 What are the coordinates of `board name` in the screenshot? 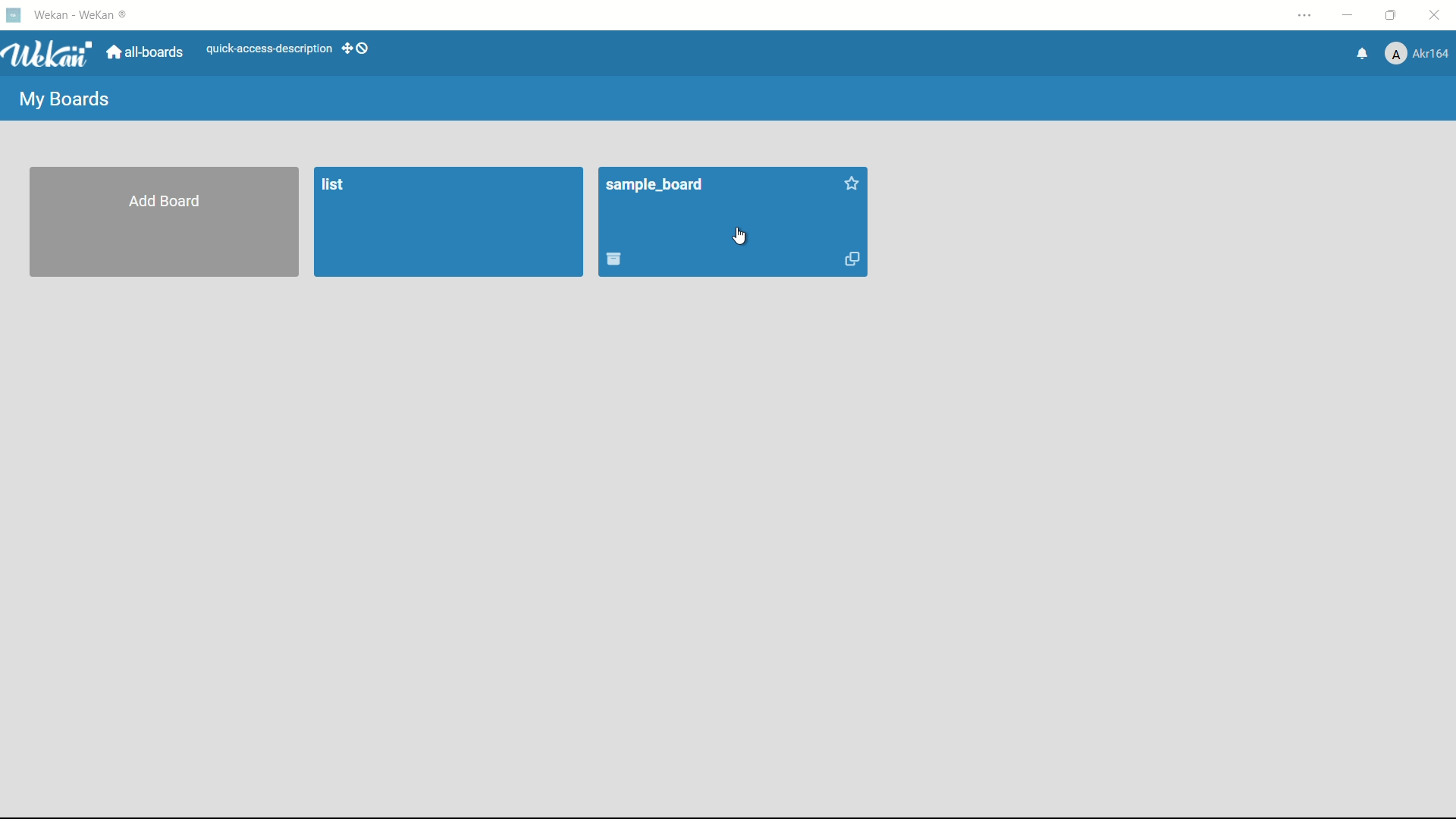 It's located at (654, 186).